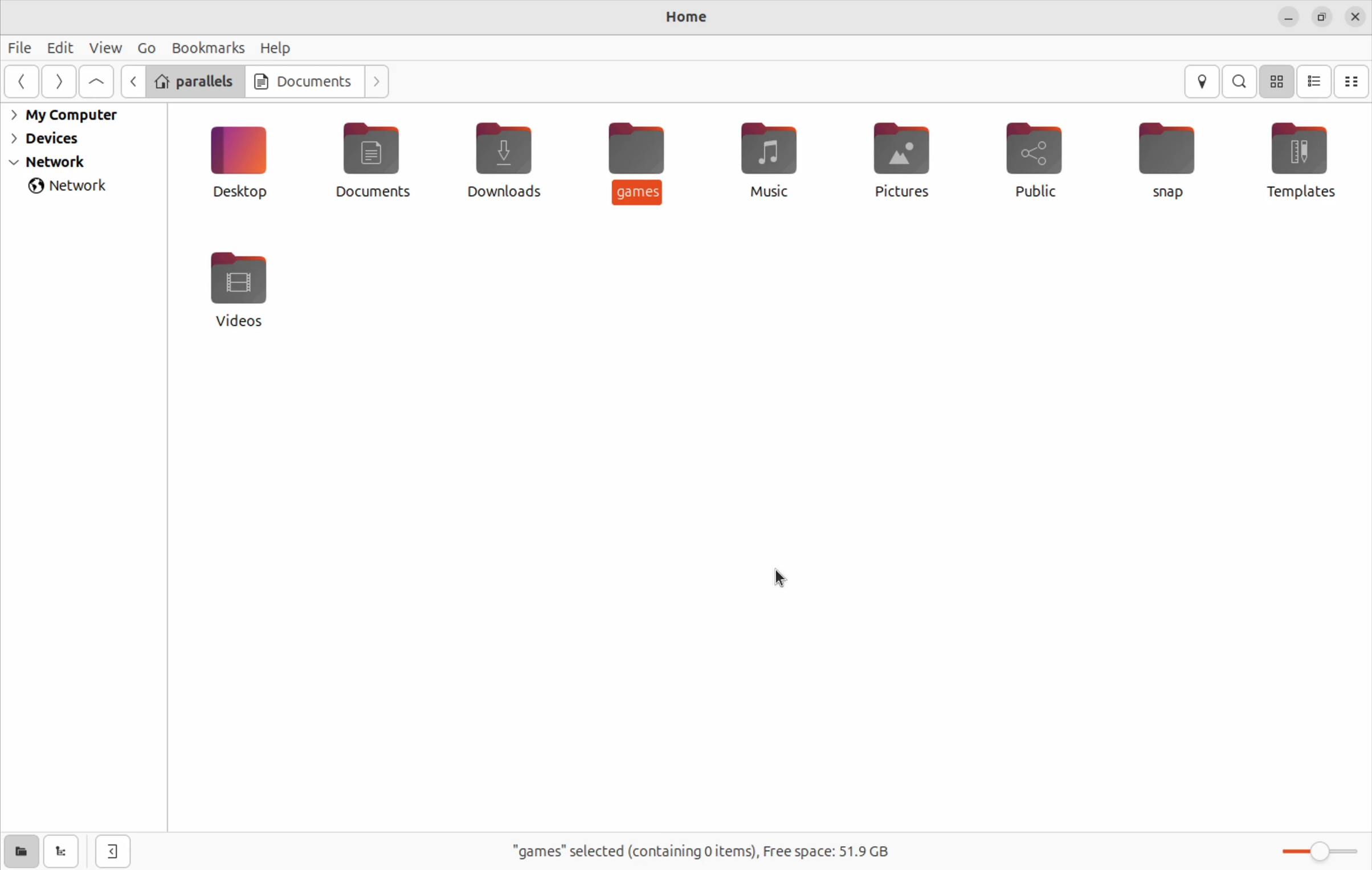 The width and height of the screenshot is (1372, 870). I want to click on book marks, so click(205, 48).